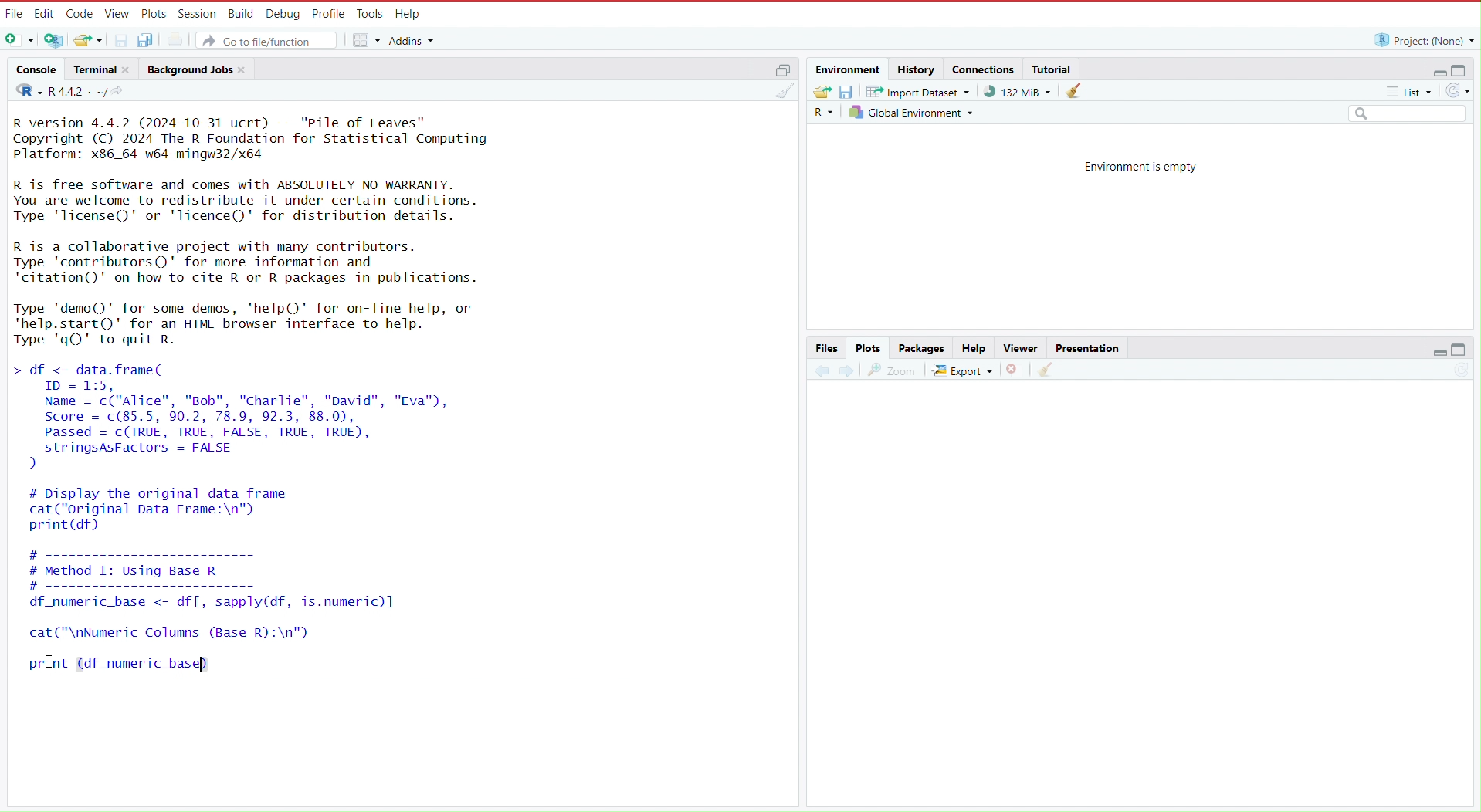  I want to click on Terminal, so click(92, 67).